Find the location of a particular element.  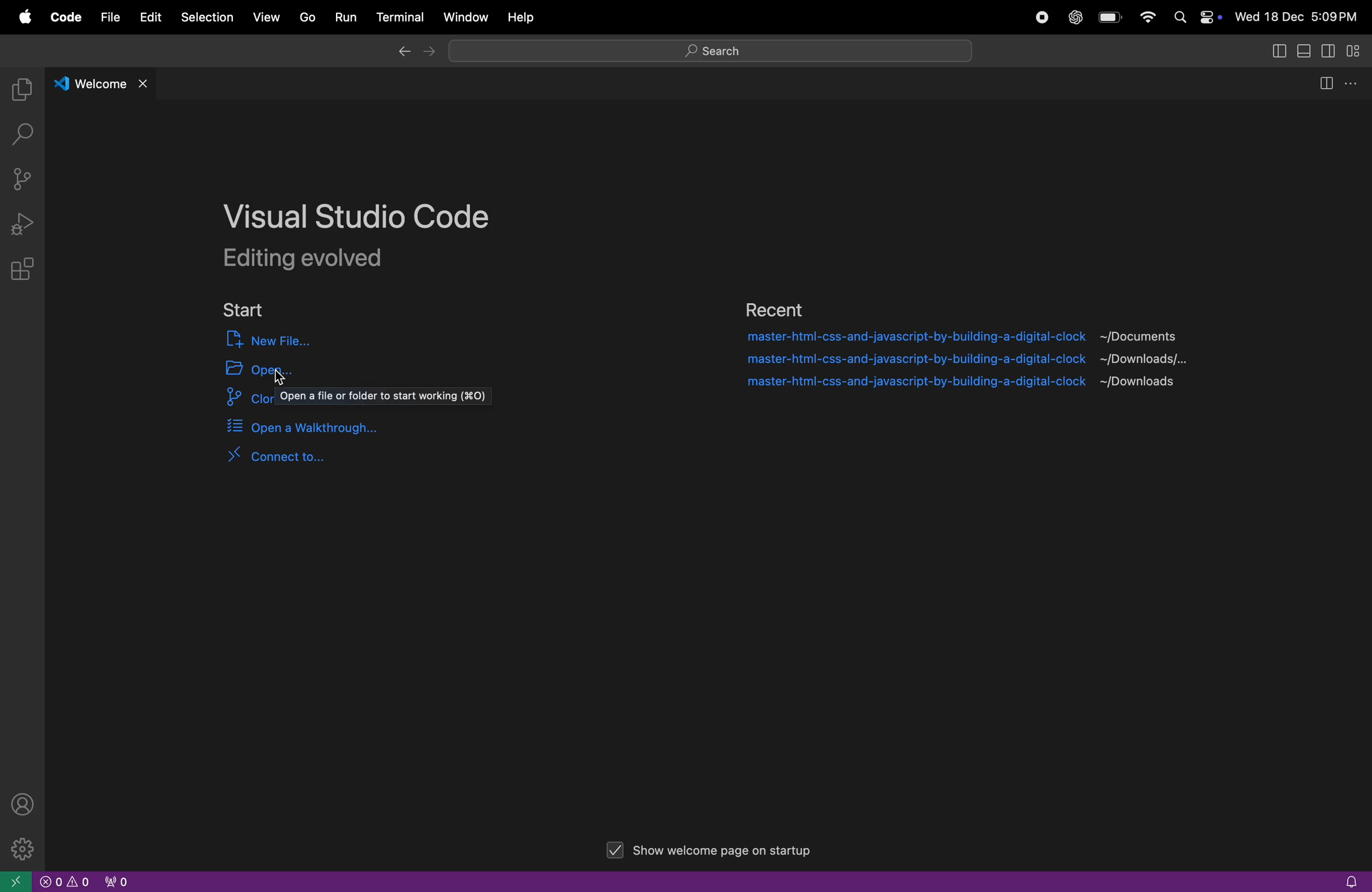

Cursor is located at coordinates (279, 376).